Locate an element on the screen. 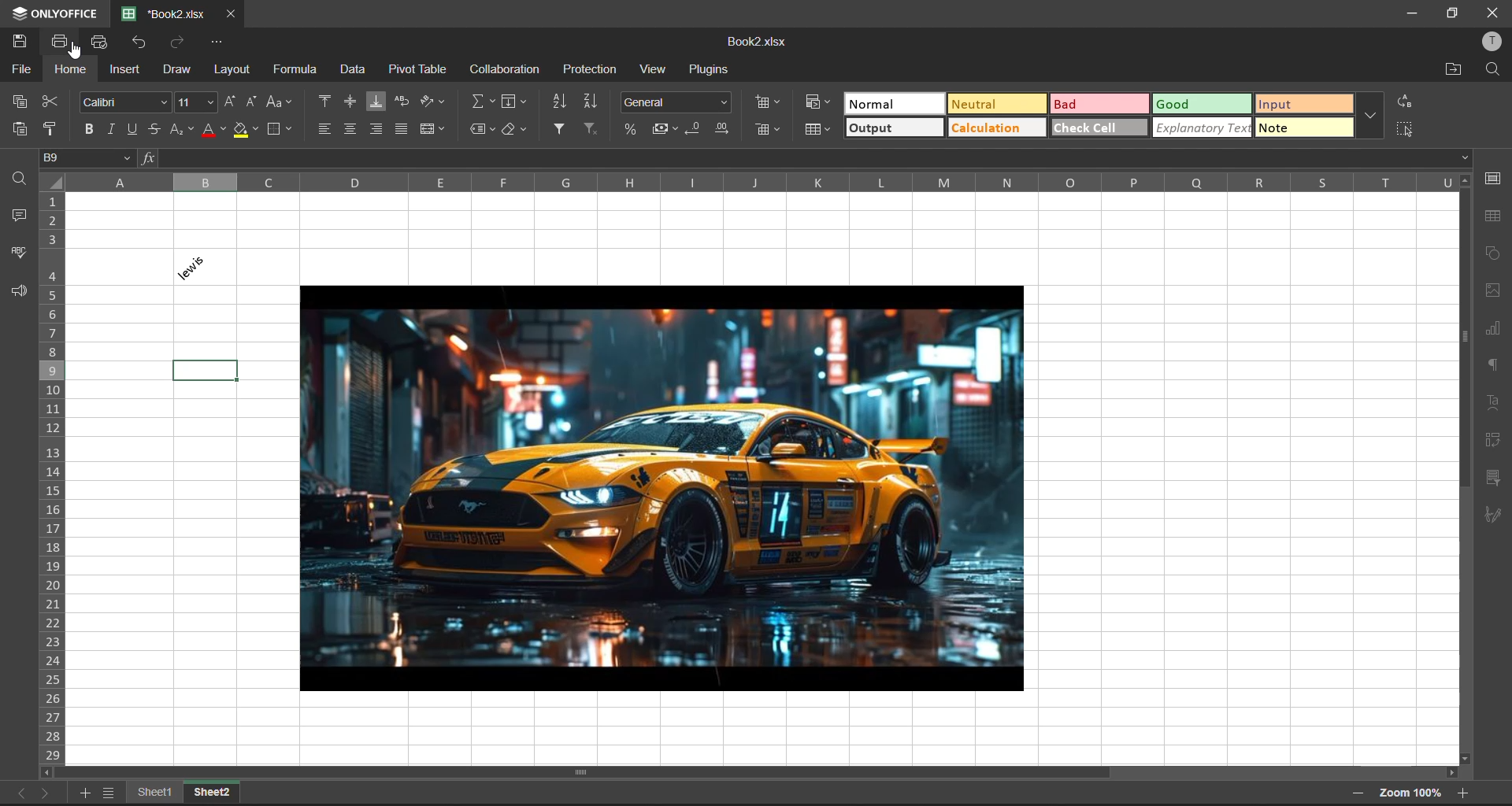 The image size is (1512, 806). delete cells is located at coordinates (768, 128).